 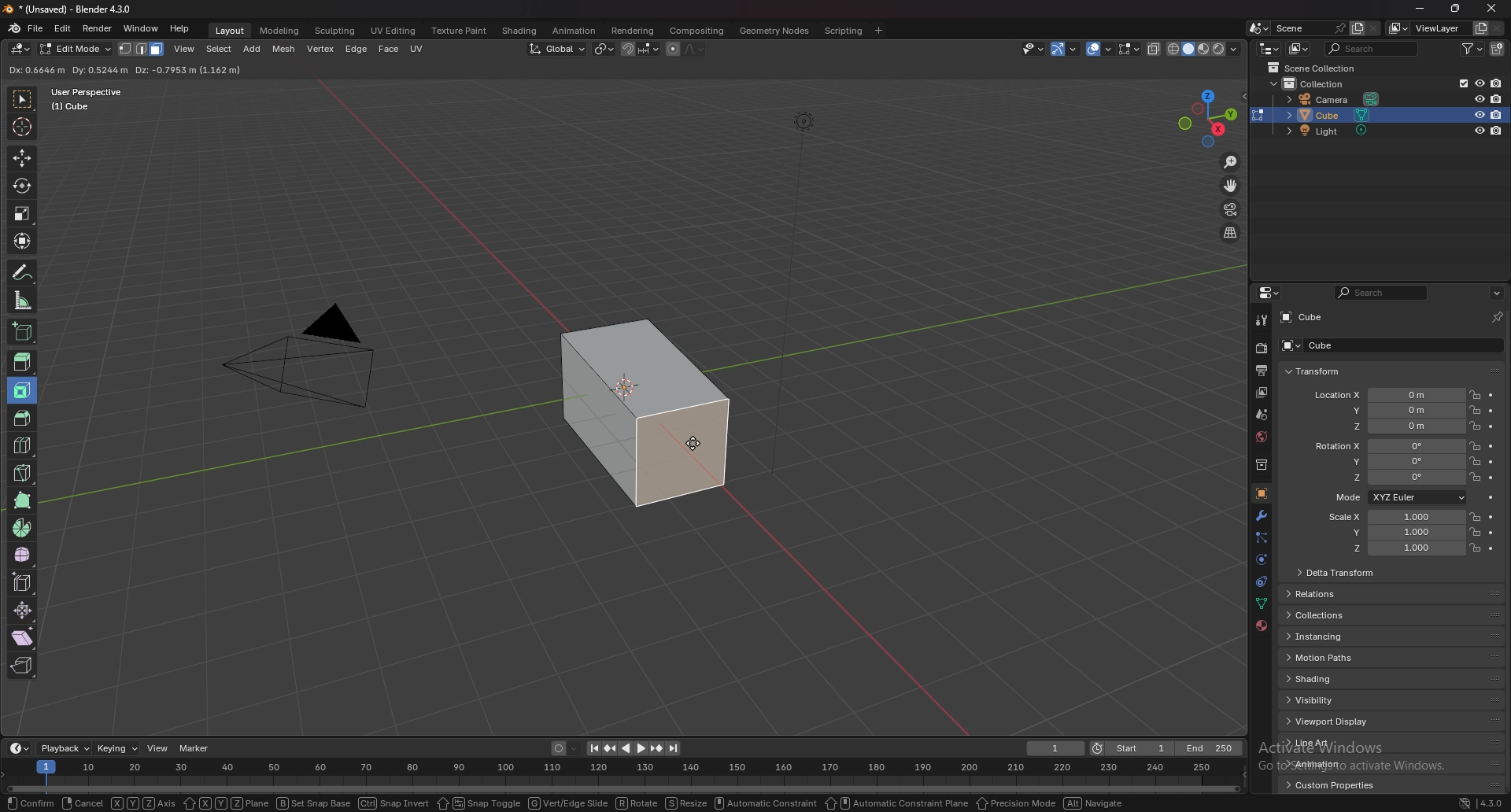 What do you see at coordinates (185, 49) in the screenshot?
I see `view` at bounding box center [185, 49].